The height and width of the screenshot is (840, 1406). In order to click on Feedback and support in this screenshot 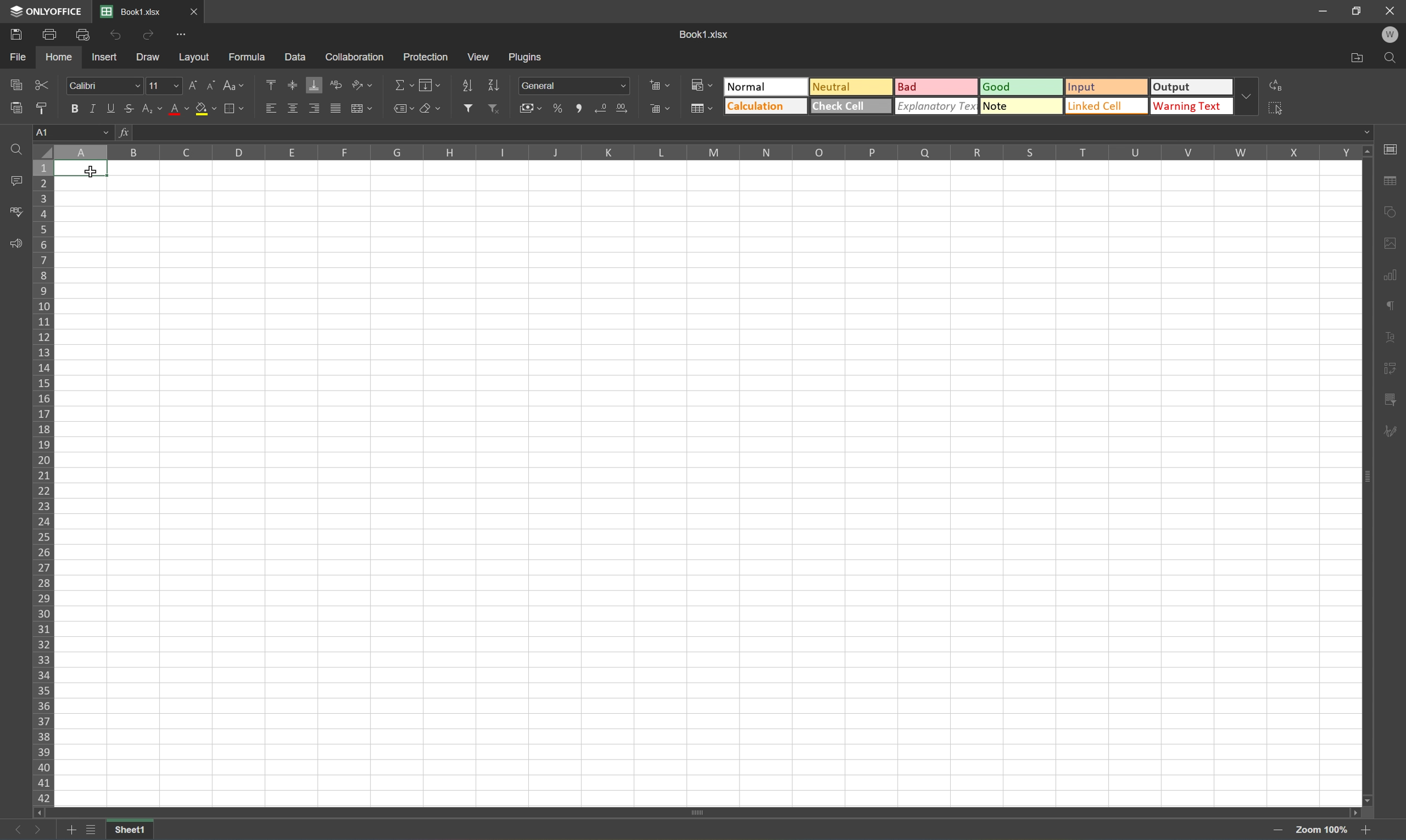, I will do `click(16, 243)`.